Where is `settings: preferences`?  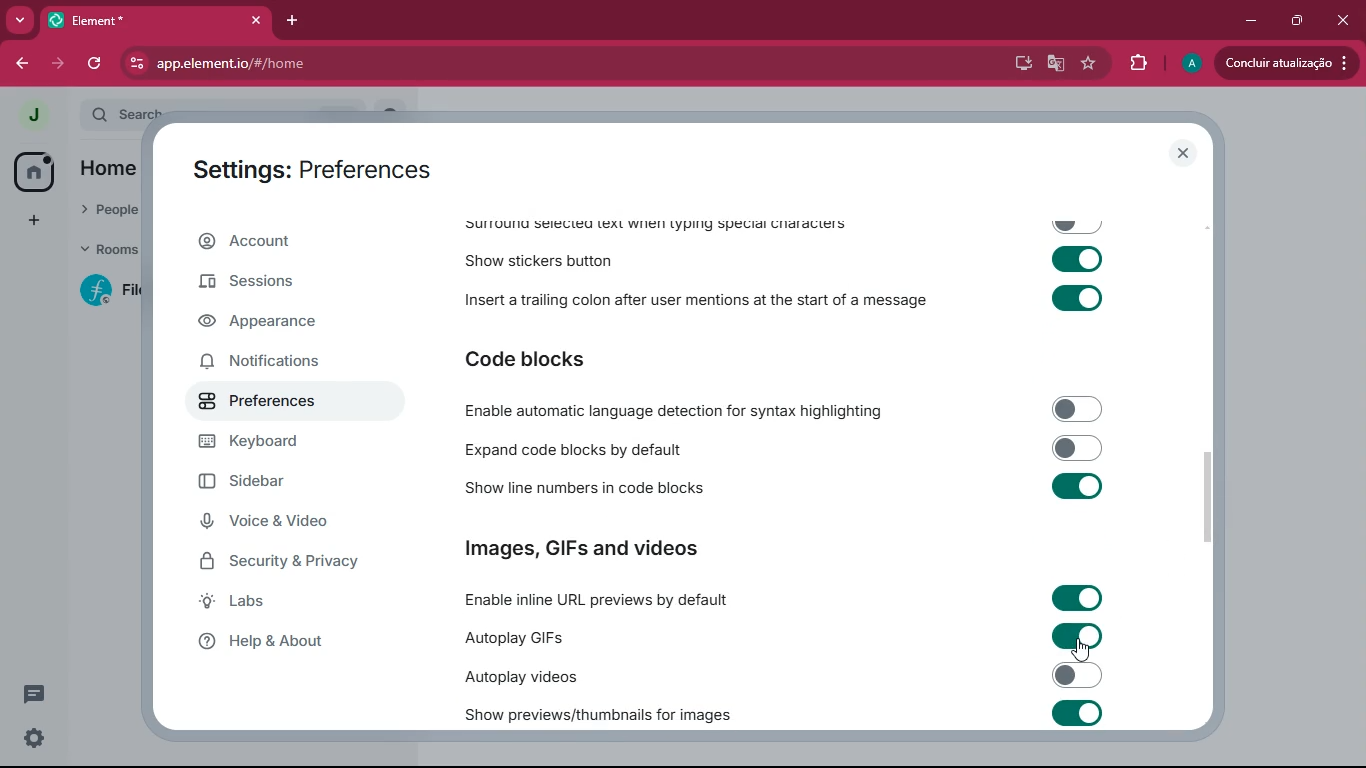
settings: preferences is located at coordinates (318, 167).